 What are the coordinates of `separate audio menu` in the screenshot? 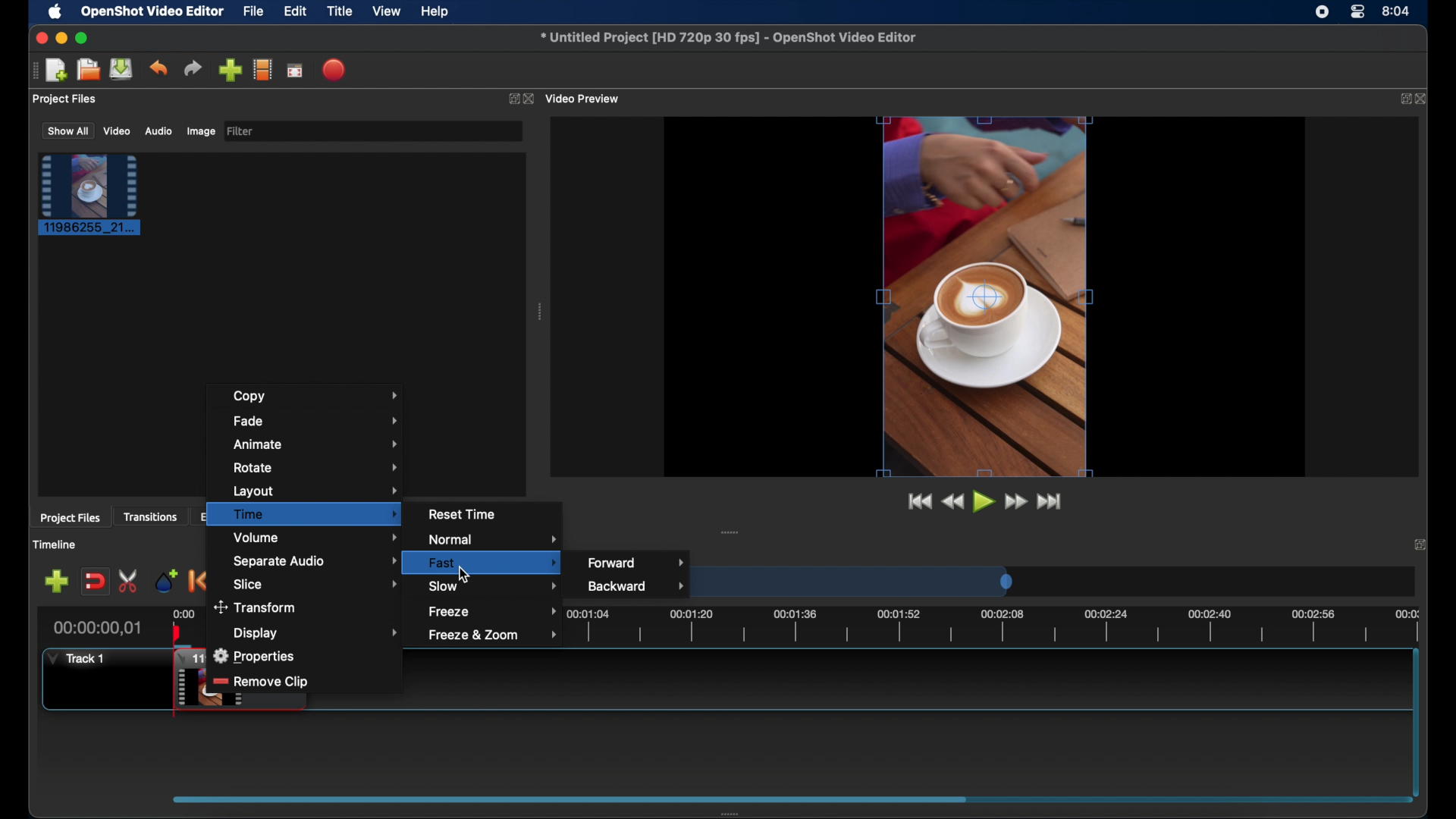 It's located at (318, 560).